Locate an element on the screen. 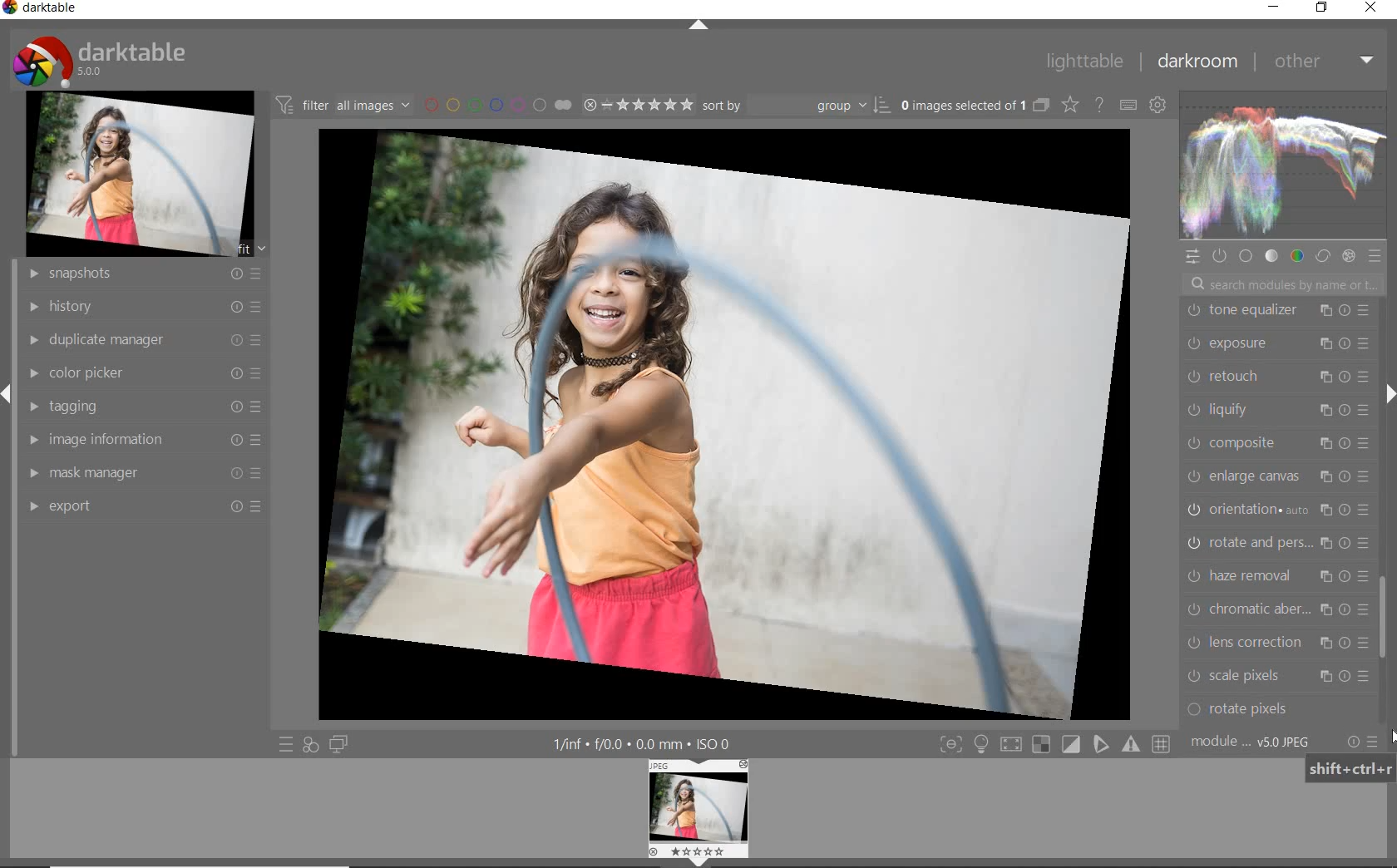  show global preference is located at coordinates (1156, 102).